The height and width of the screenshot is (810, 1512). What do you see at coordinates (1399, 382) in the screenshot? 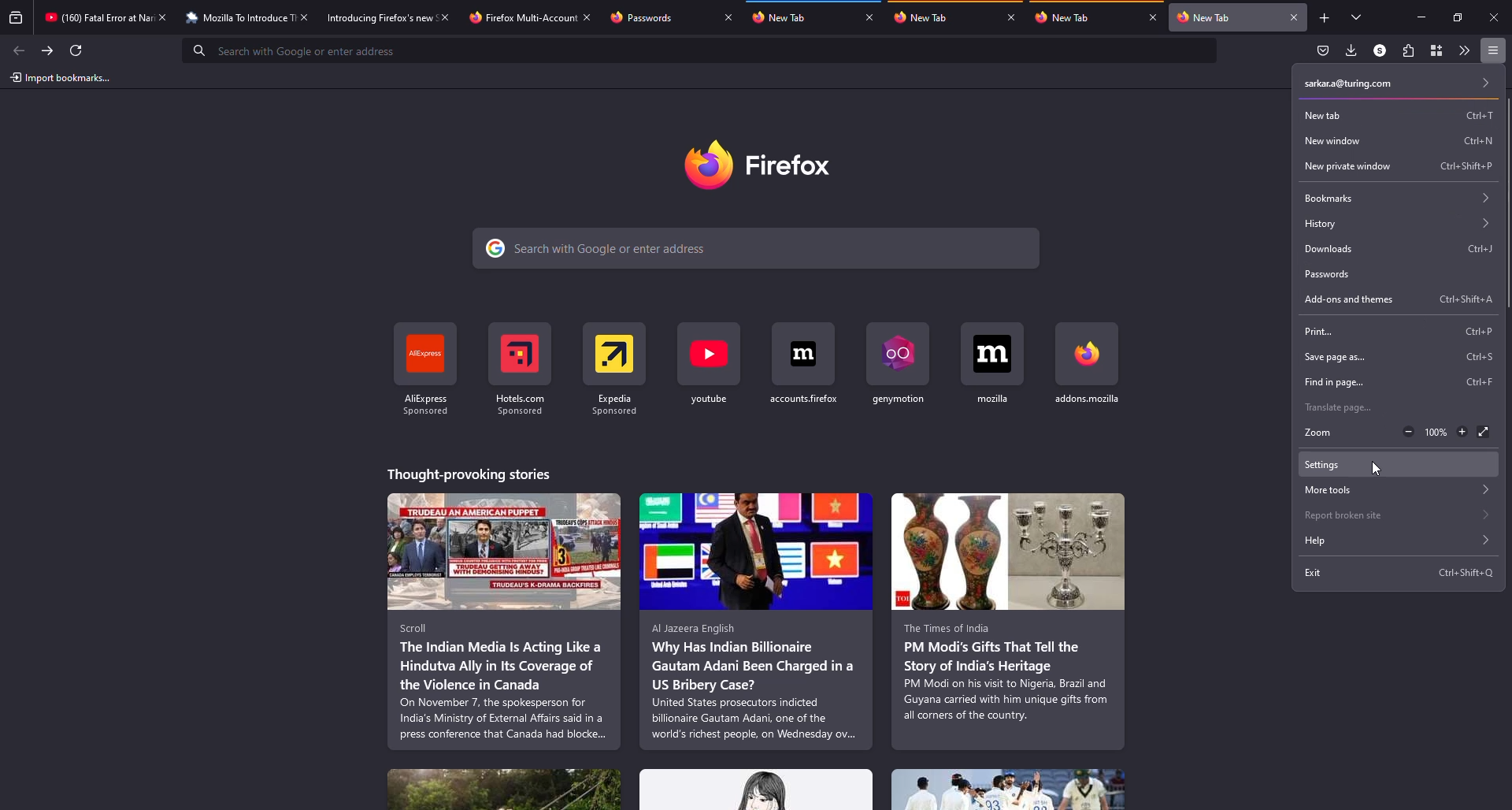
I see `find in page` at bounding box center [1399, 382].